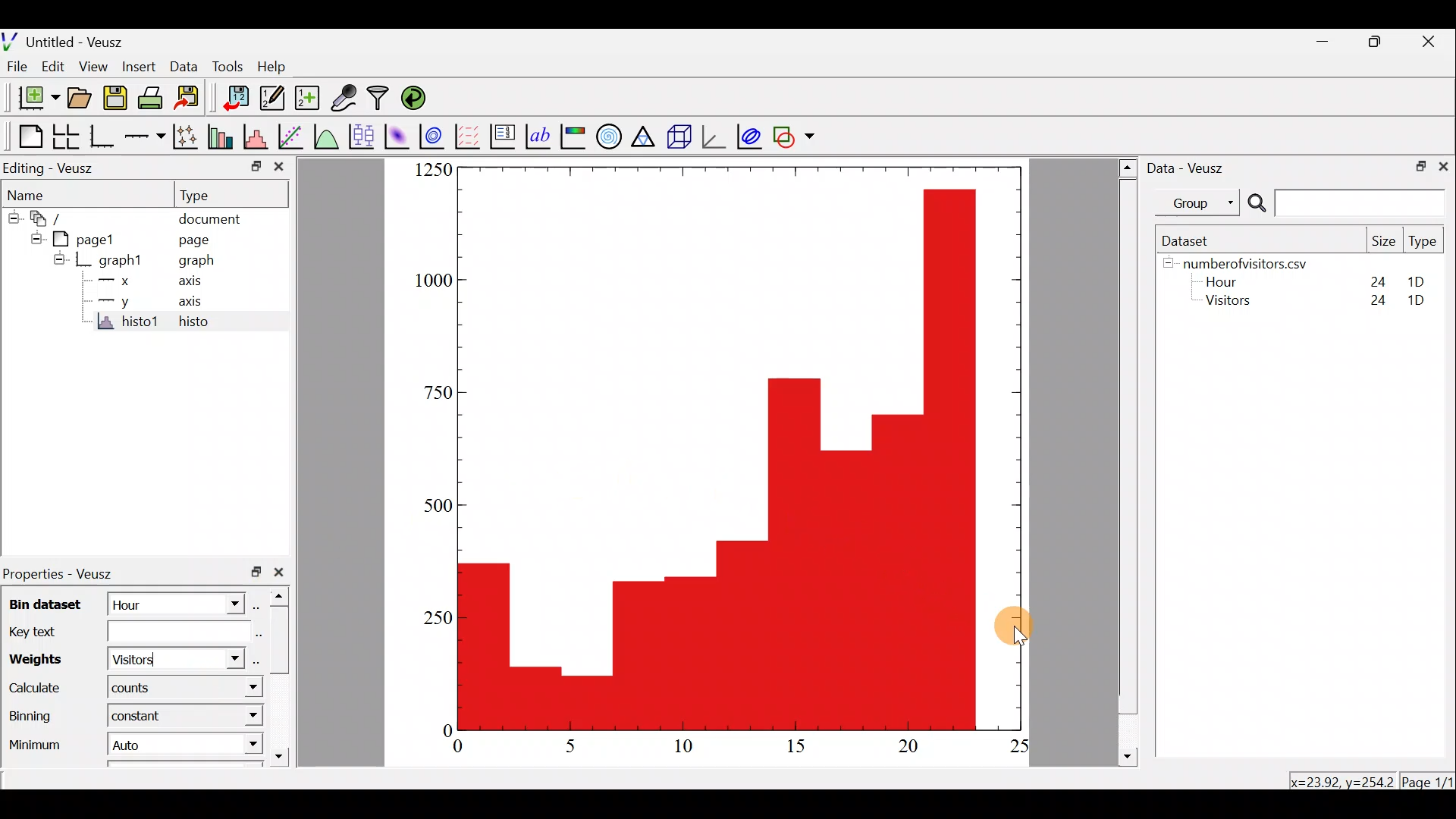  What do you see at coordinates (1379, 44) in the screenshot?
I see `restore down` at bounding box center [1379, 44].